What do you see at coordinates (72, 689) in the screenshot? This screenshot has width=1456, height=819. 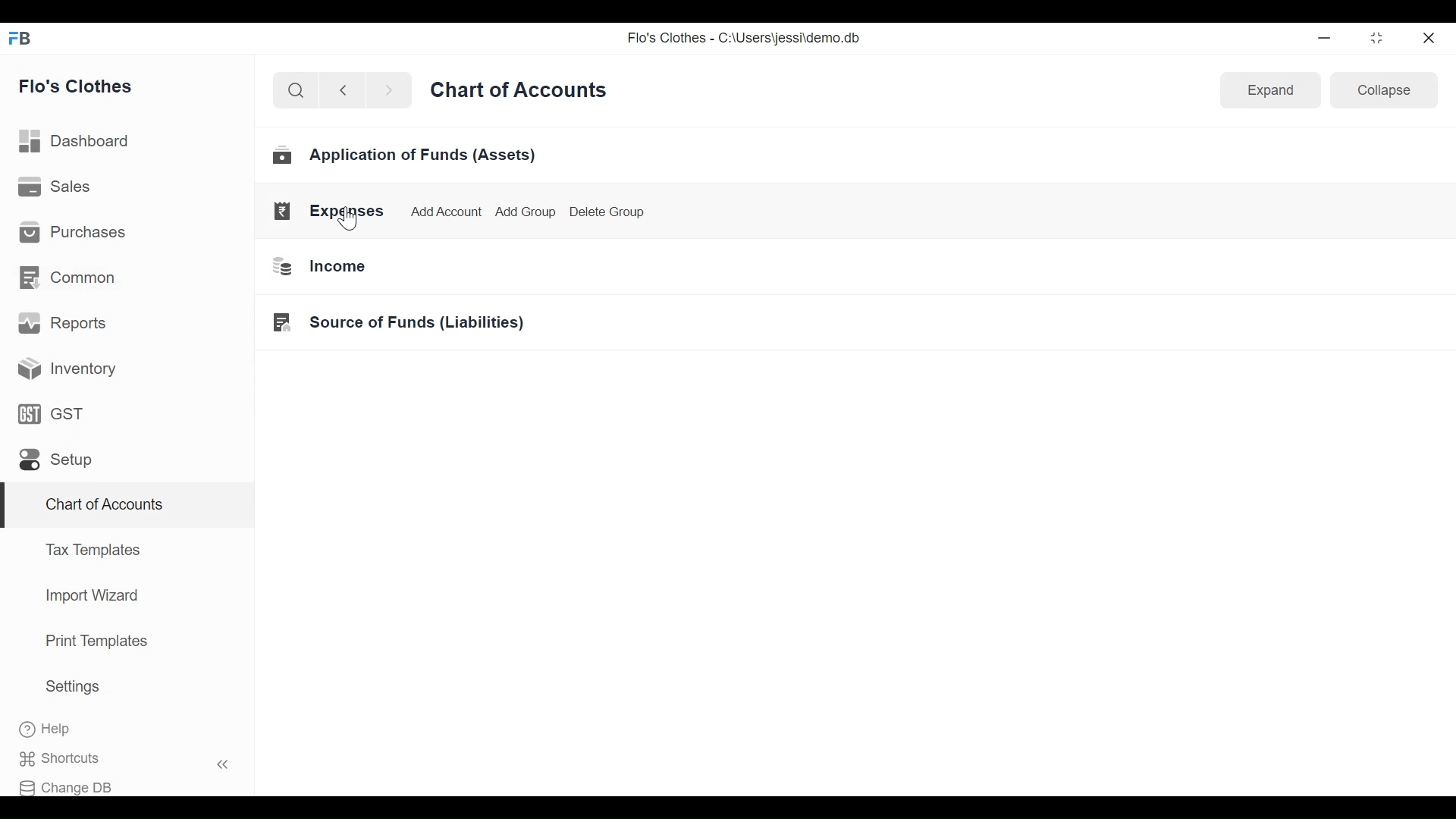 I see `Settings` at bounding box center [72, 689].